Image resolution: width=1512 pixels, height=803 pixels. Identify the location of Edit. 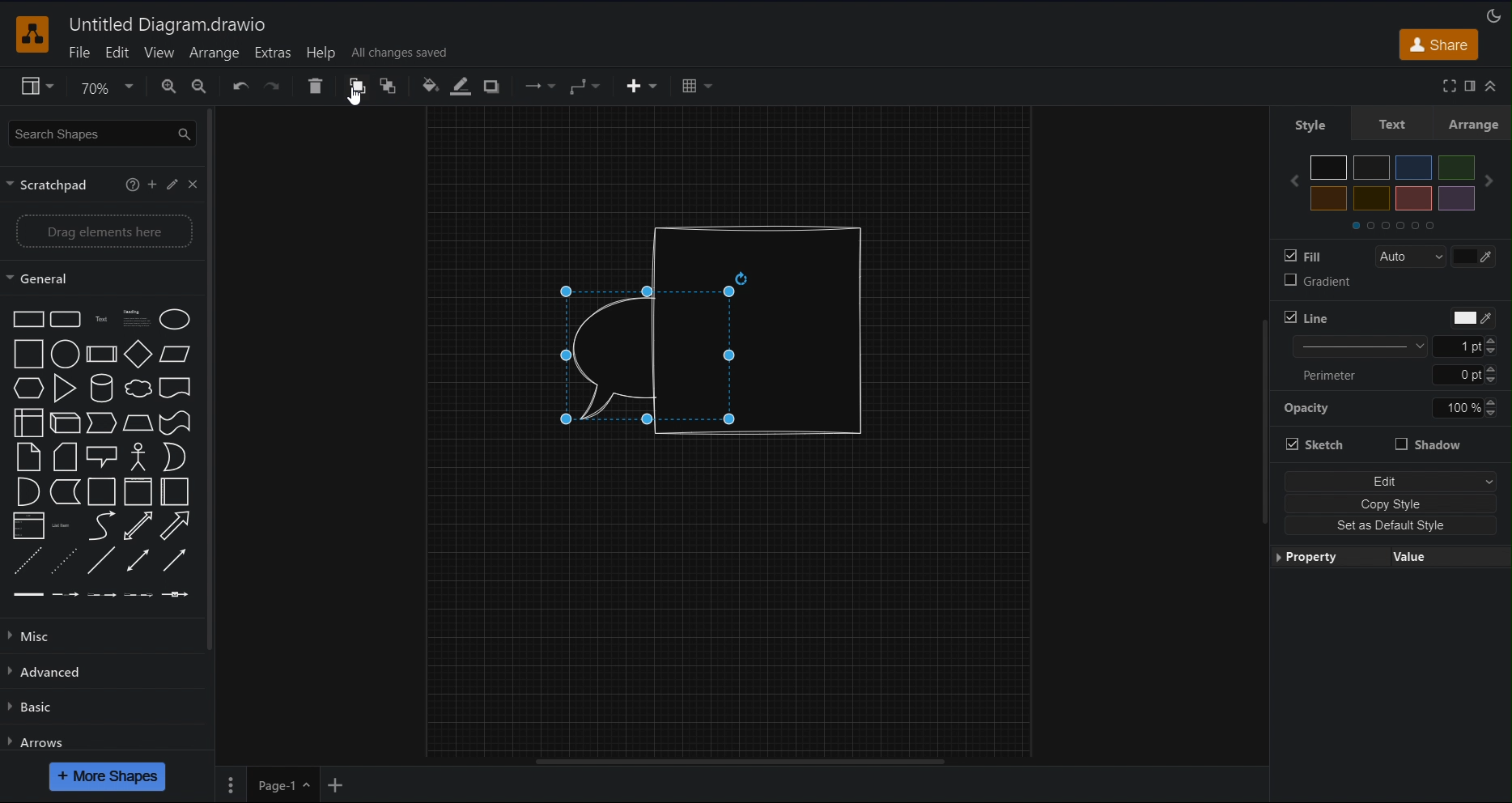
(118, 53).